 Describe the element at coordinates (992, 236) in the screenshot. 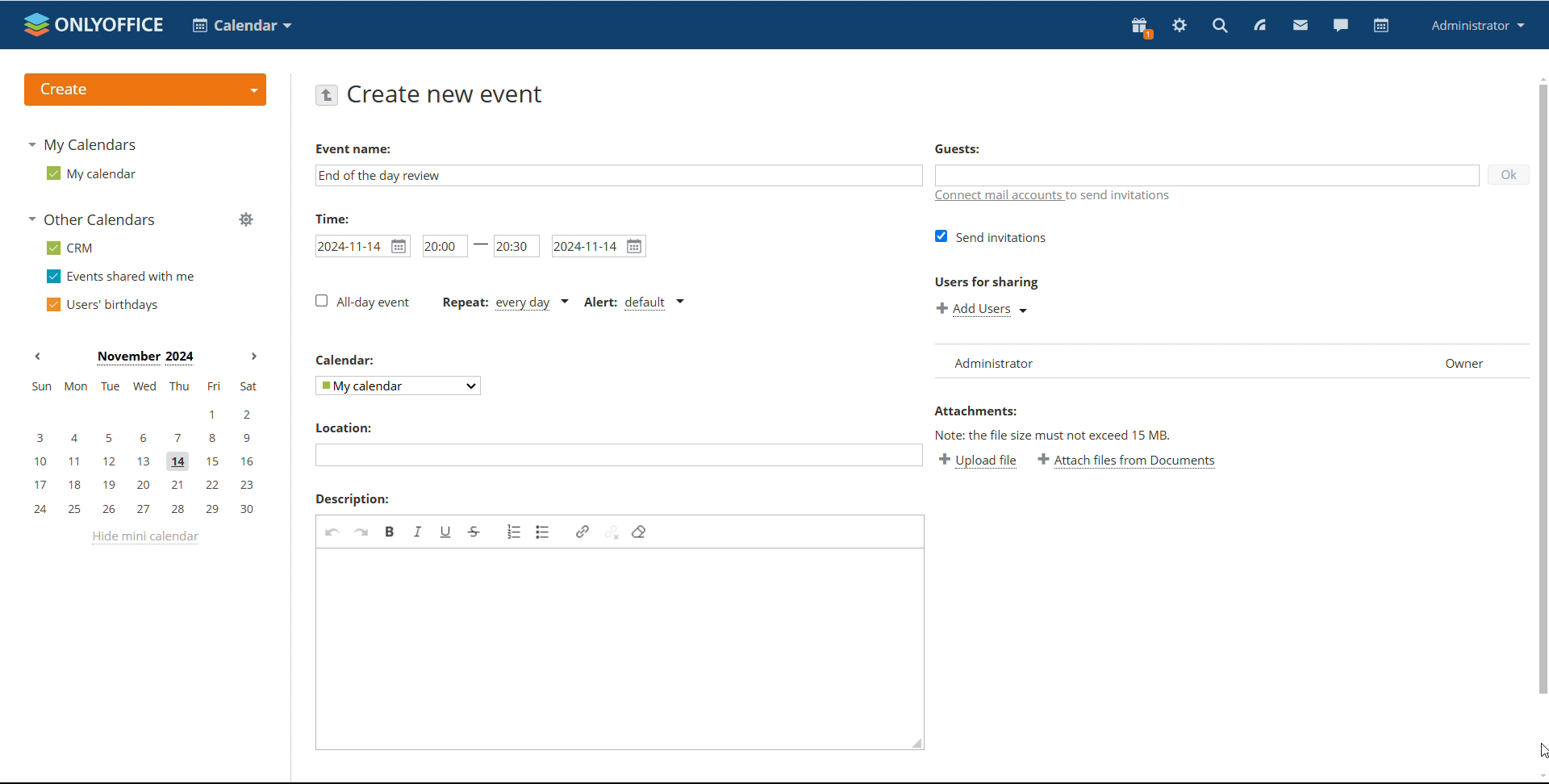

I see `send invitations` at that location.